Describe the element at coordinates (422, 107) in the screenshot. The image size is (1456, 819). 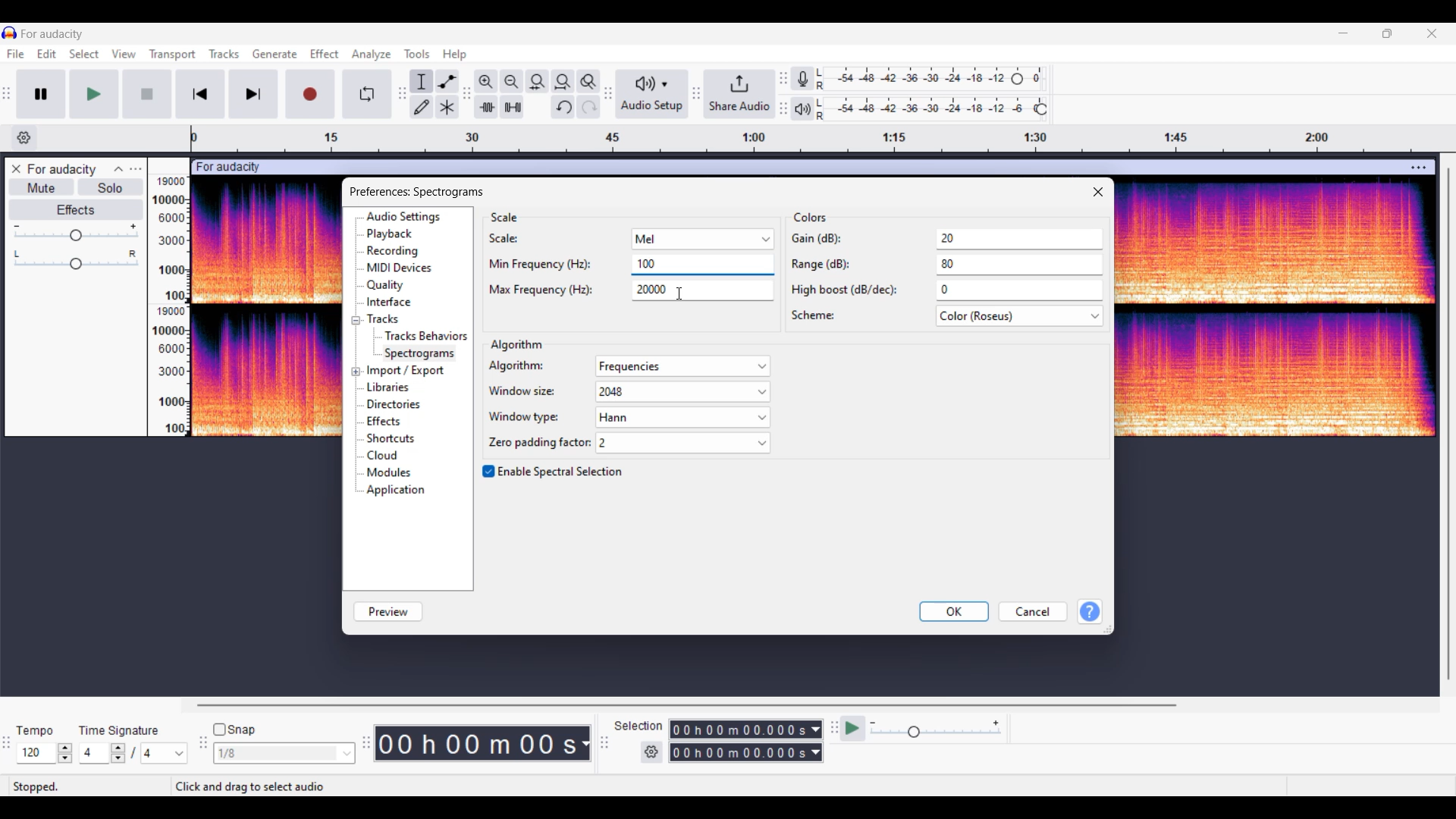
I see `Draw tool` at that location.